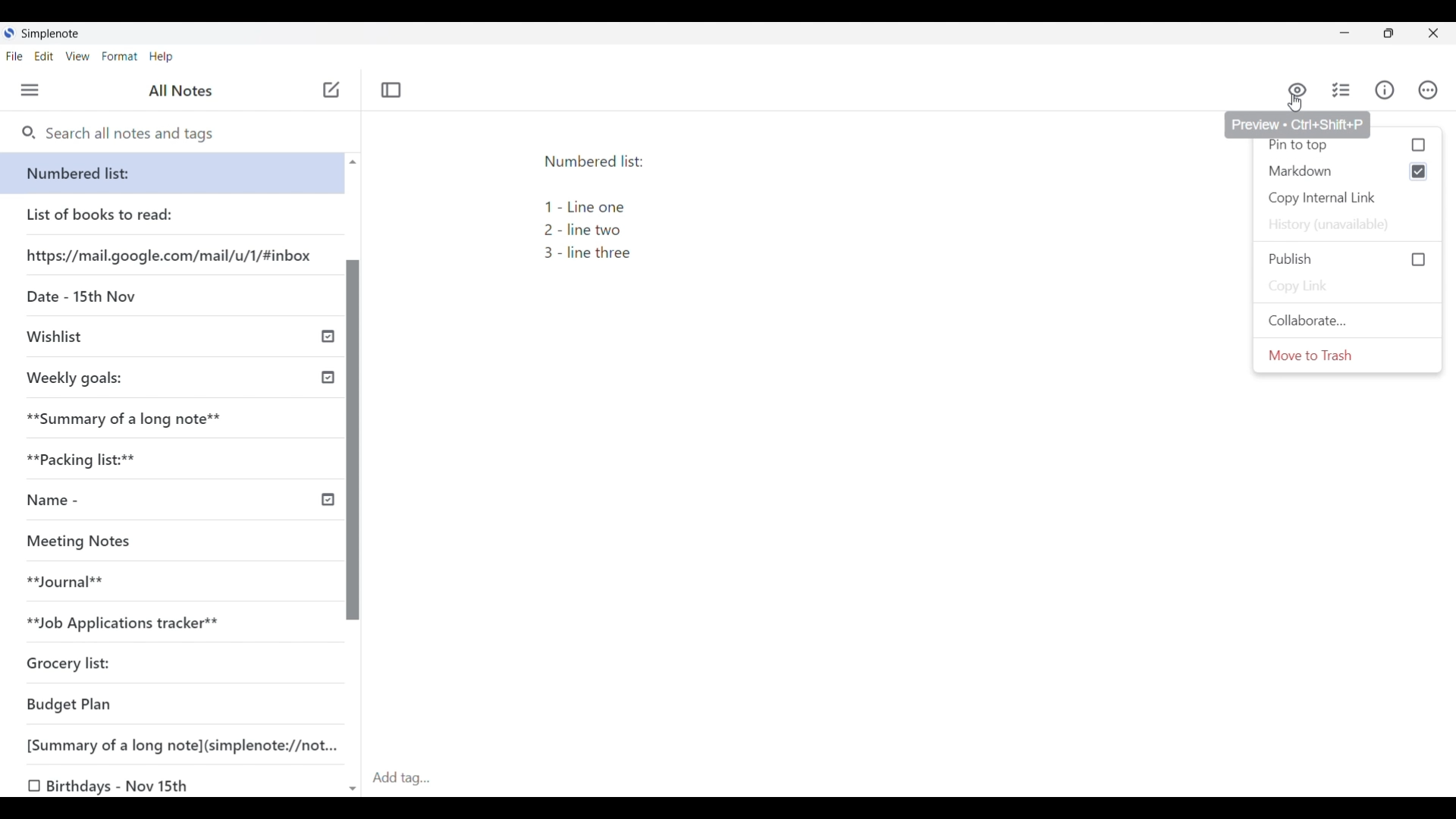 The width and height of the screenshot is (1456, 819). Describe the element at coordinates (77, 704) in the screenshot. I see `Budget Plan` at that location.